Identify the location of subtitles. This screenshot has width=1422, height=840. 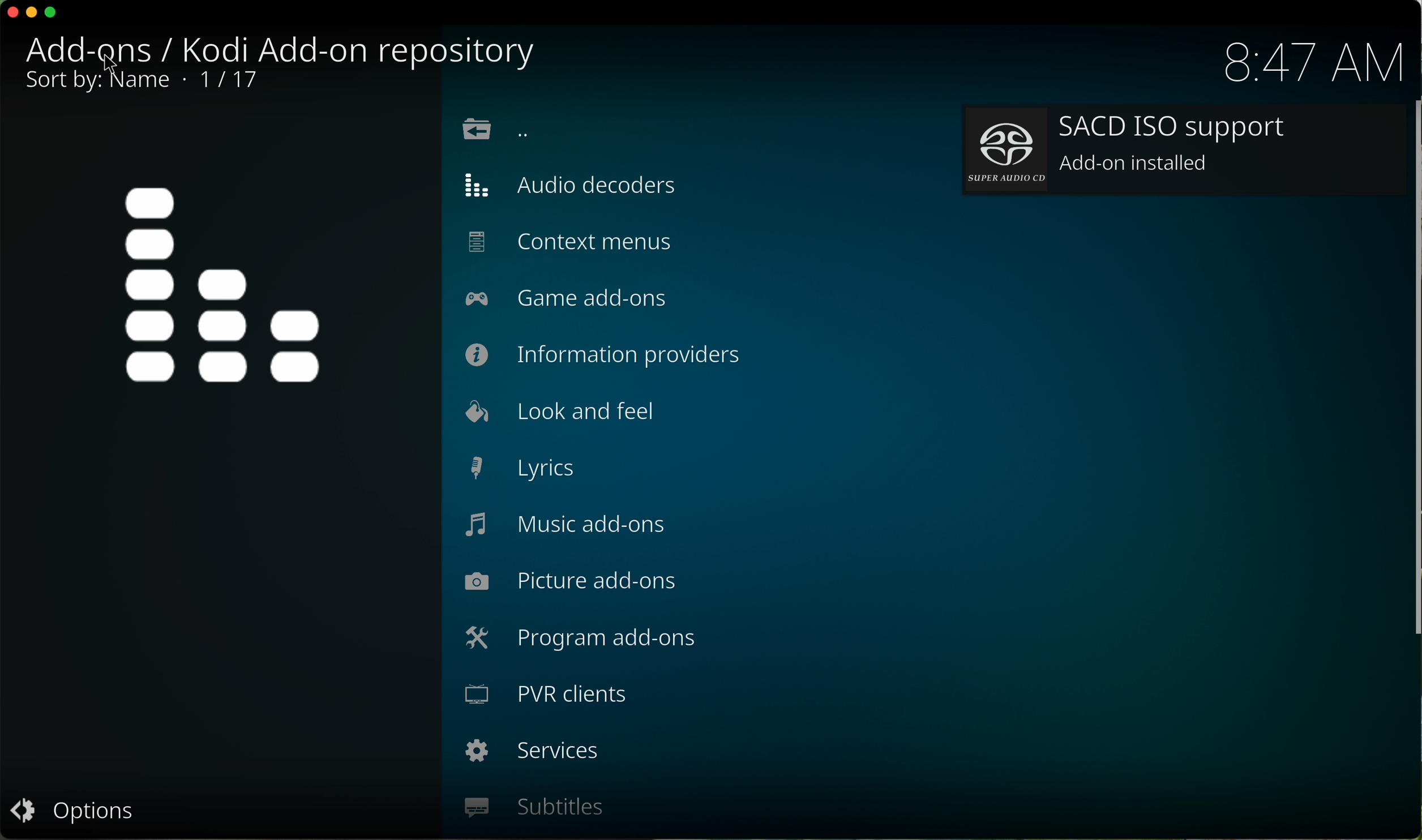
(533, 808).